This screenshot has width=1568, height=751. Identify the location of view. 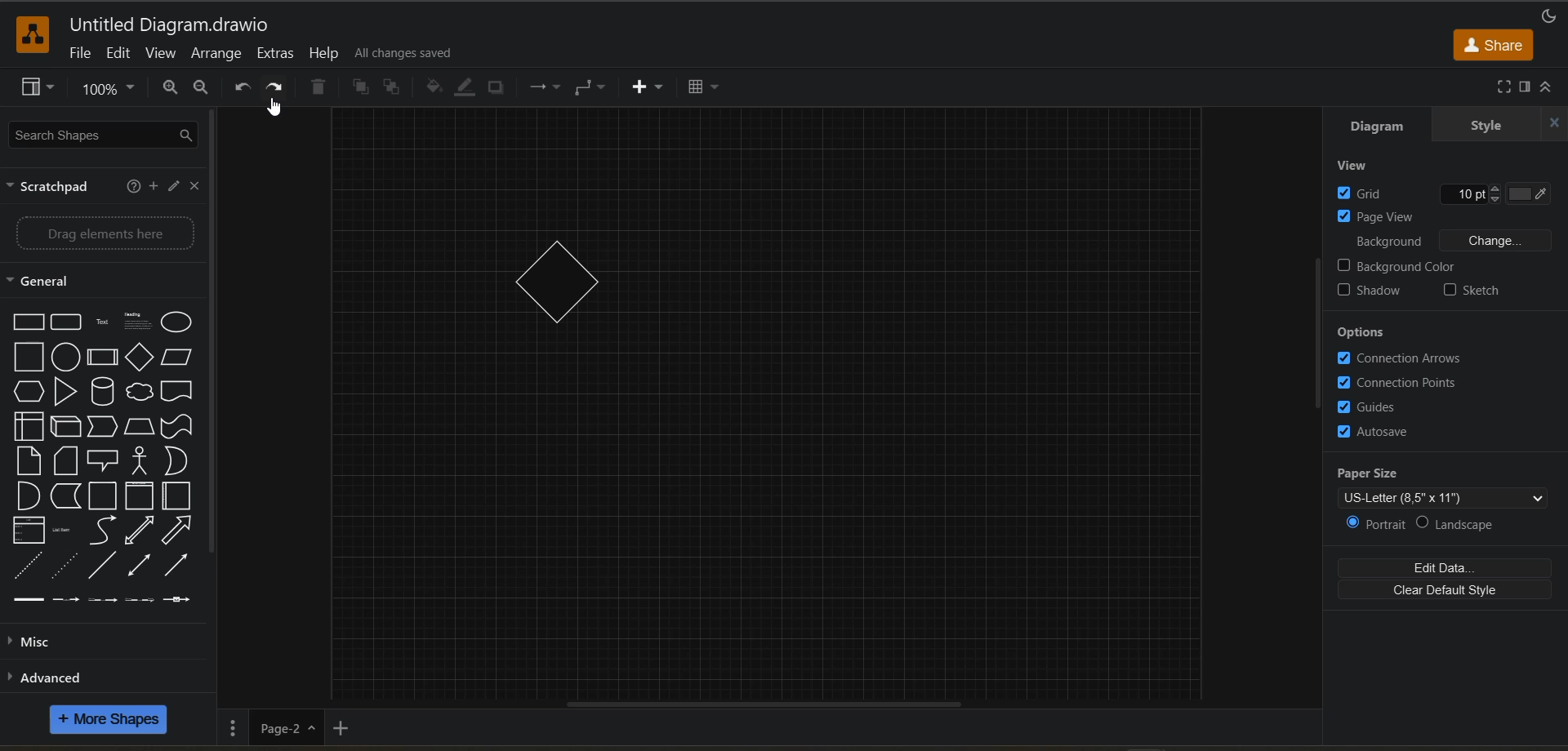
(163, 56).